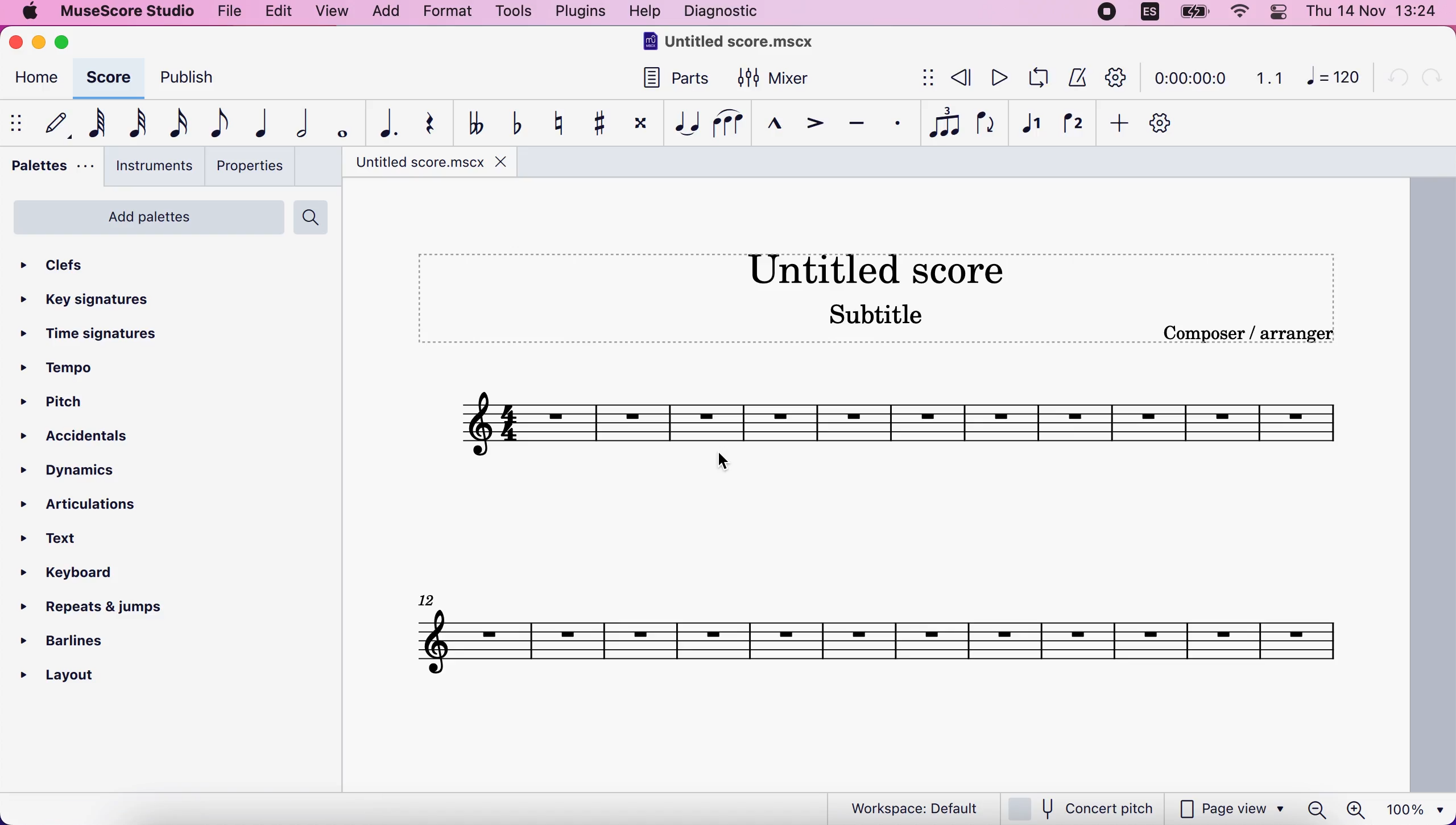 The height and width of the screenshot is (825, 1456). I want to click on minimize, so click(36, 42).